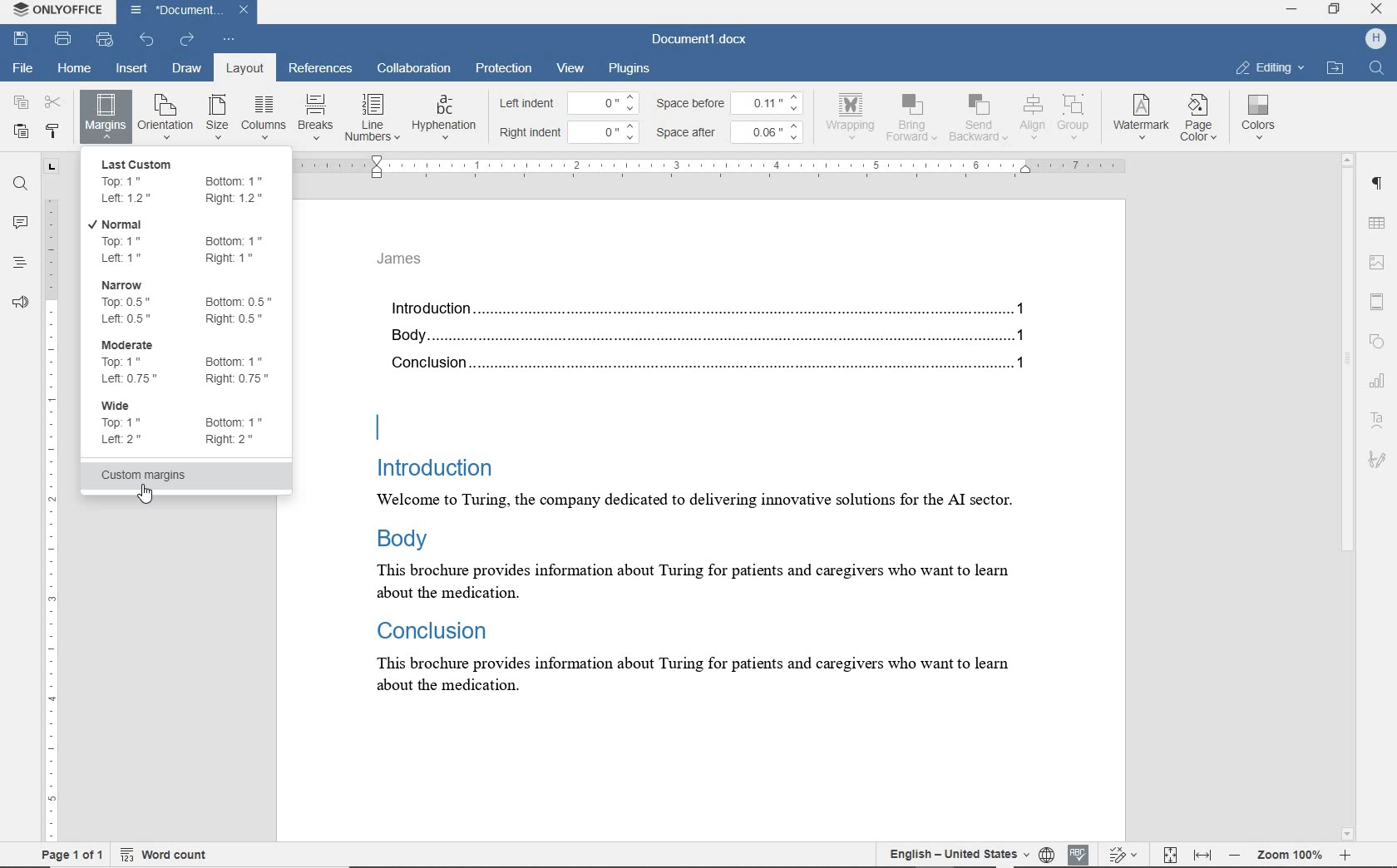 The image size is (1397, 868). Describe the element at coordinates (187, 67) in the screenshot. I see `draw` at that location.